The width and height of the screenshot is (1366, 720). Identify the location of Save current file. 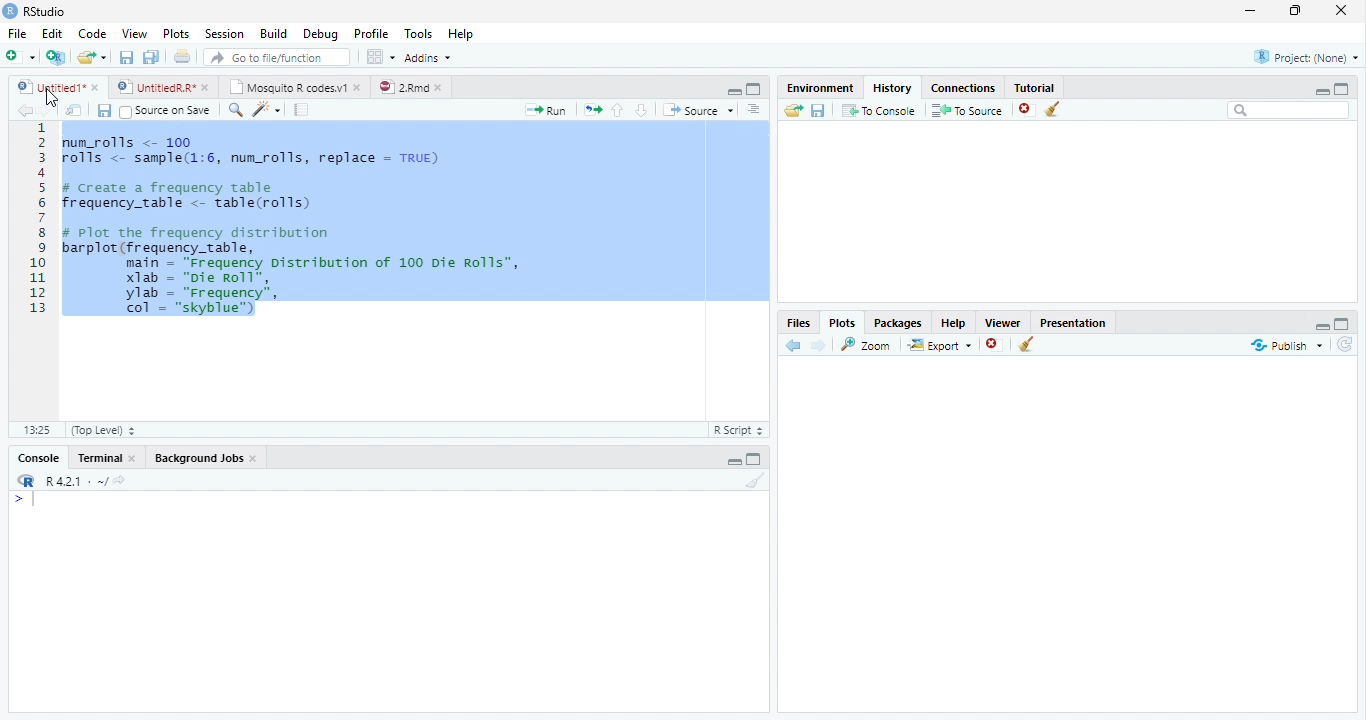
(126, 57).